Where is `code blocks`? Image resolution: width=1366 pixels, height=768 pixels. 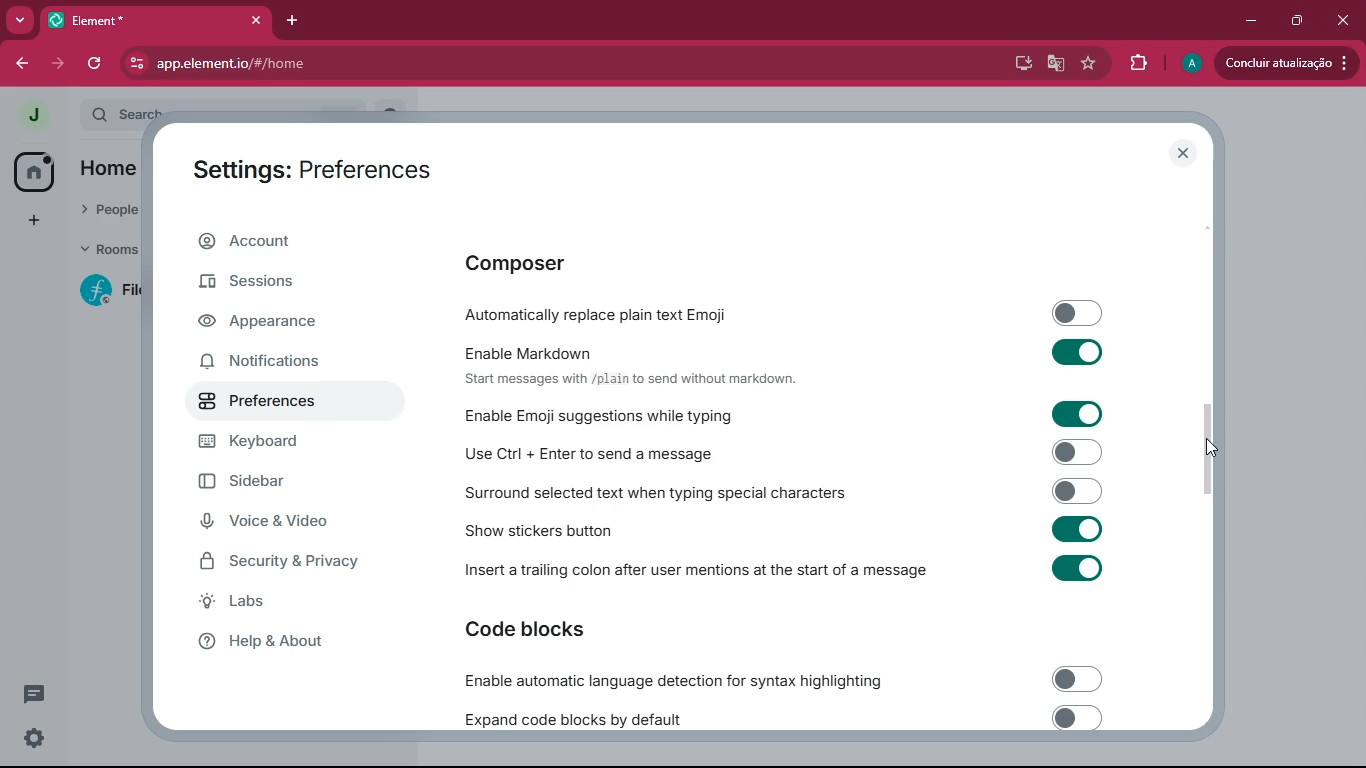 code blocks is located at coordinates (559, 633).